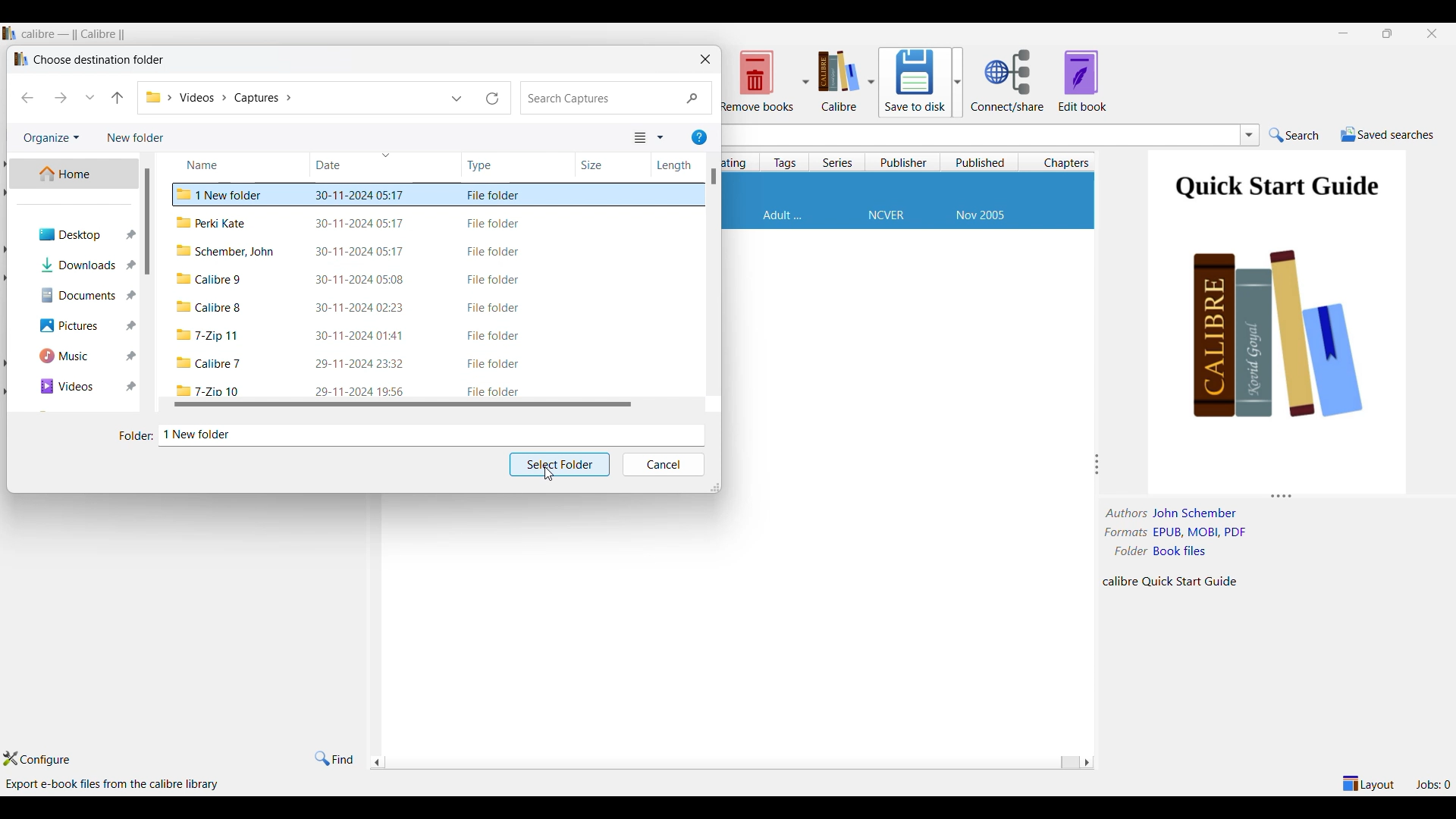  I want to click on Horizontal slide bar, so click(728, 764).